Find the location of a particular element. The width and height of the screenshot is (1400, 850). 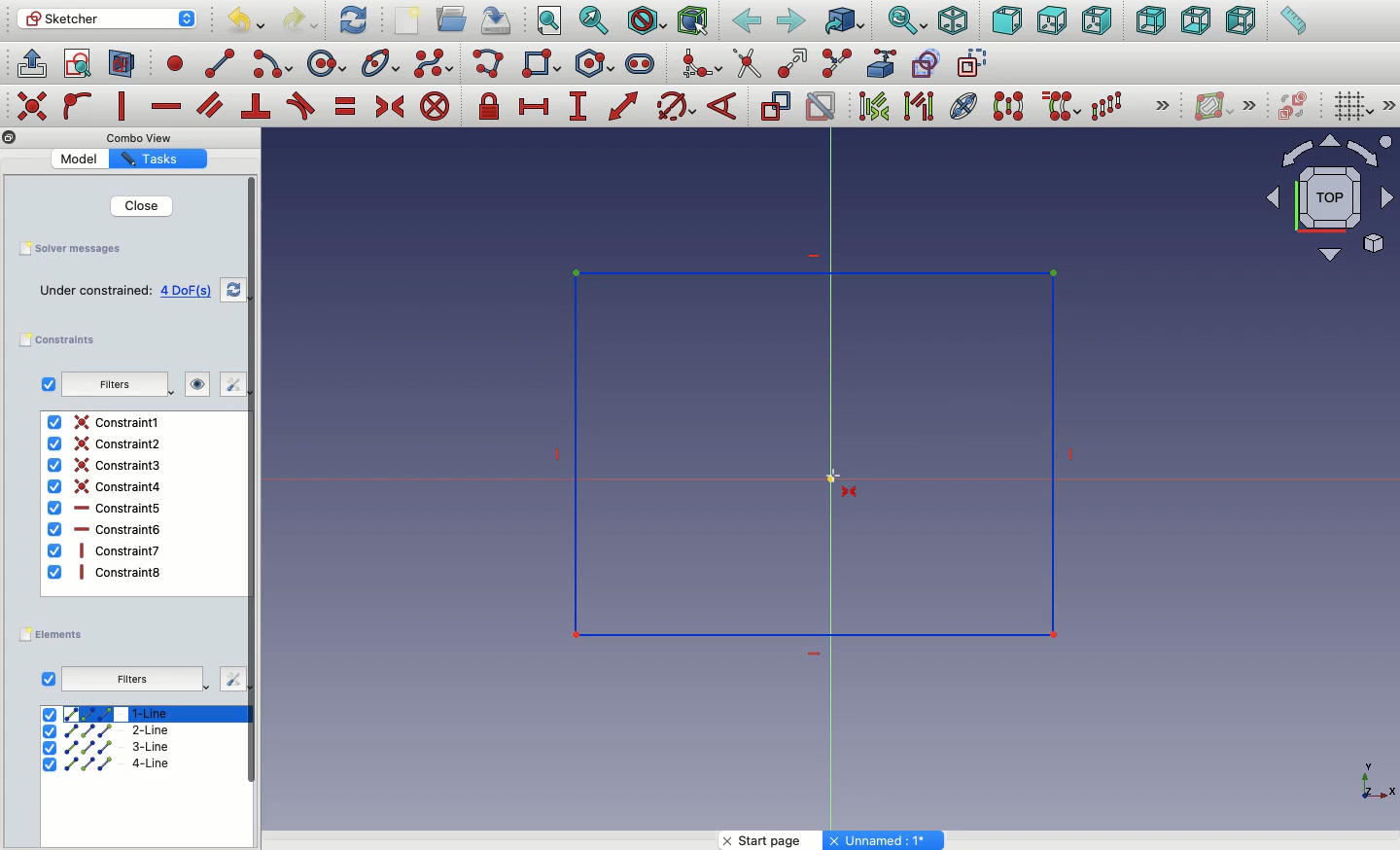

Symmetry is located at coordinates (1007, 106).